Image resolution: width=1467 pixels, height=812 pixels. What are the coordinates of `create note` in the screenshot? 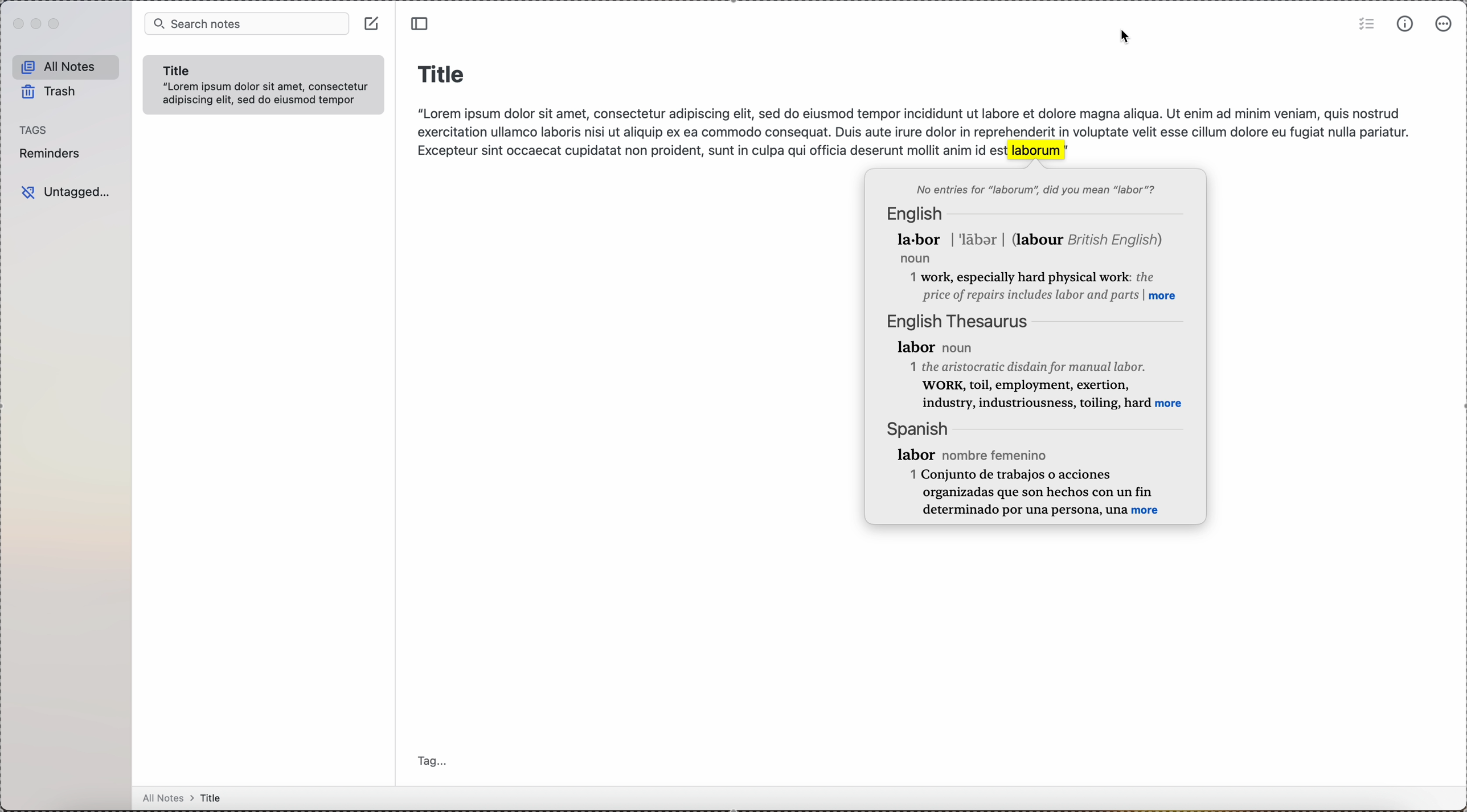 It's located at (370, 23).